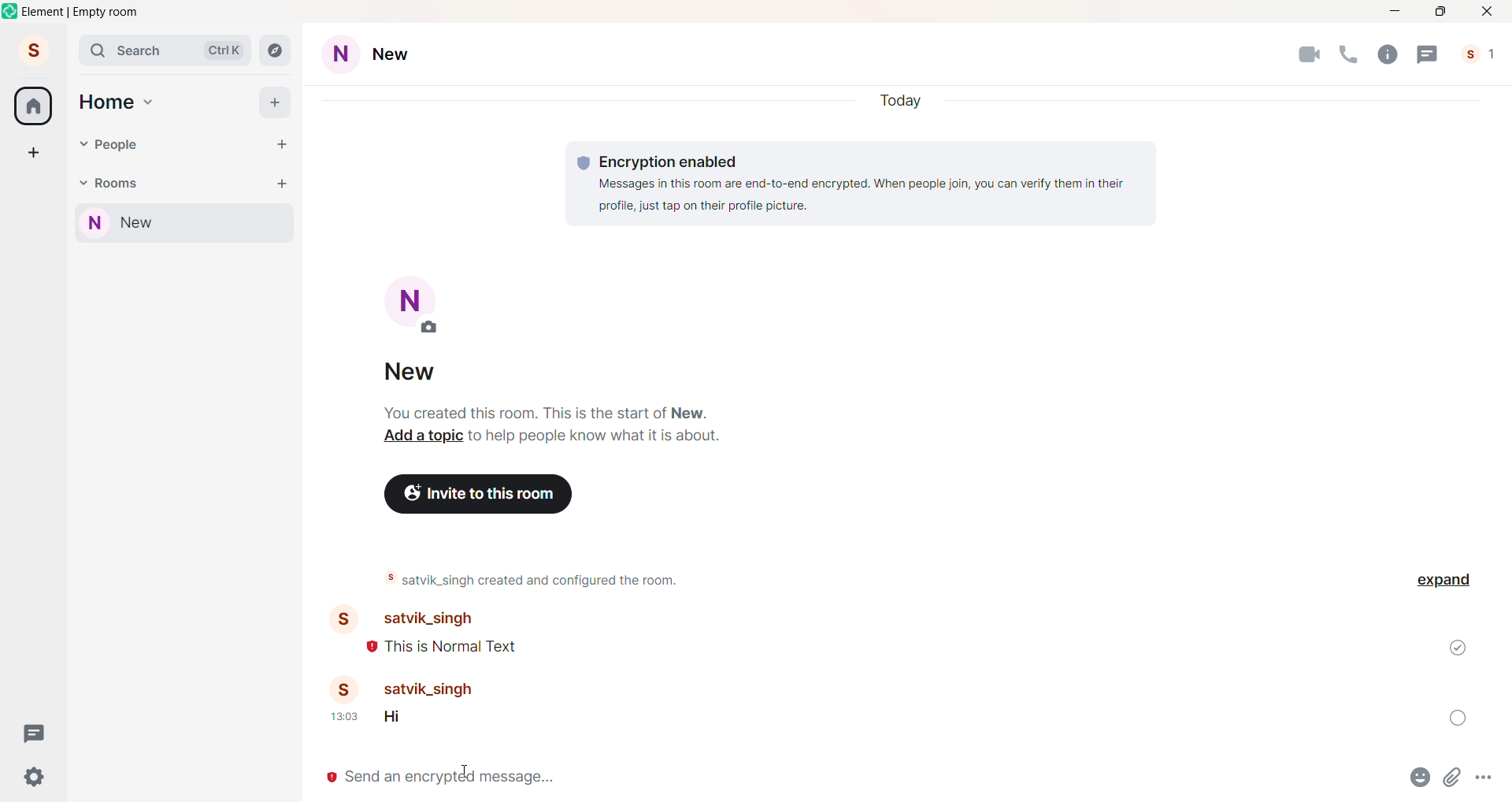 This screenshot has width=1512, height=802. I want to click on Close, so click(1488, 11).